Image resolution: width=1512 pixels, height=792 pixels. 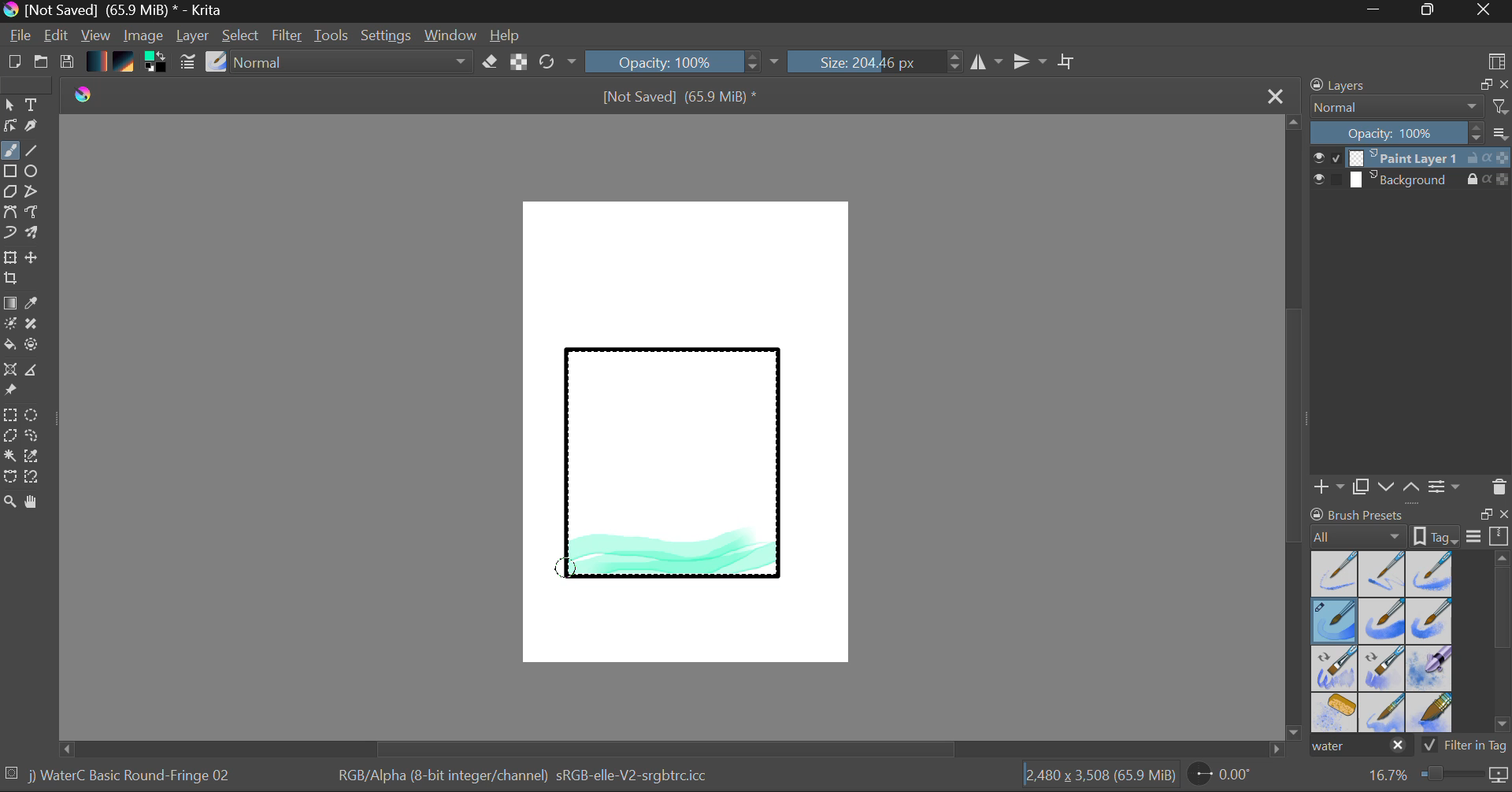 What do you see at coordinates (157, 63) in the screenshot?
I see `Colors in use` at bounding box center [157, 63].